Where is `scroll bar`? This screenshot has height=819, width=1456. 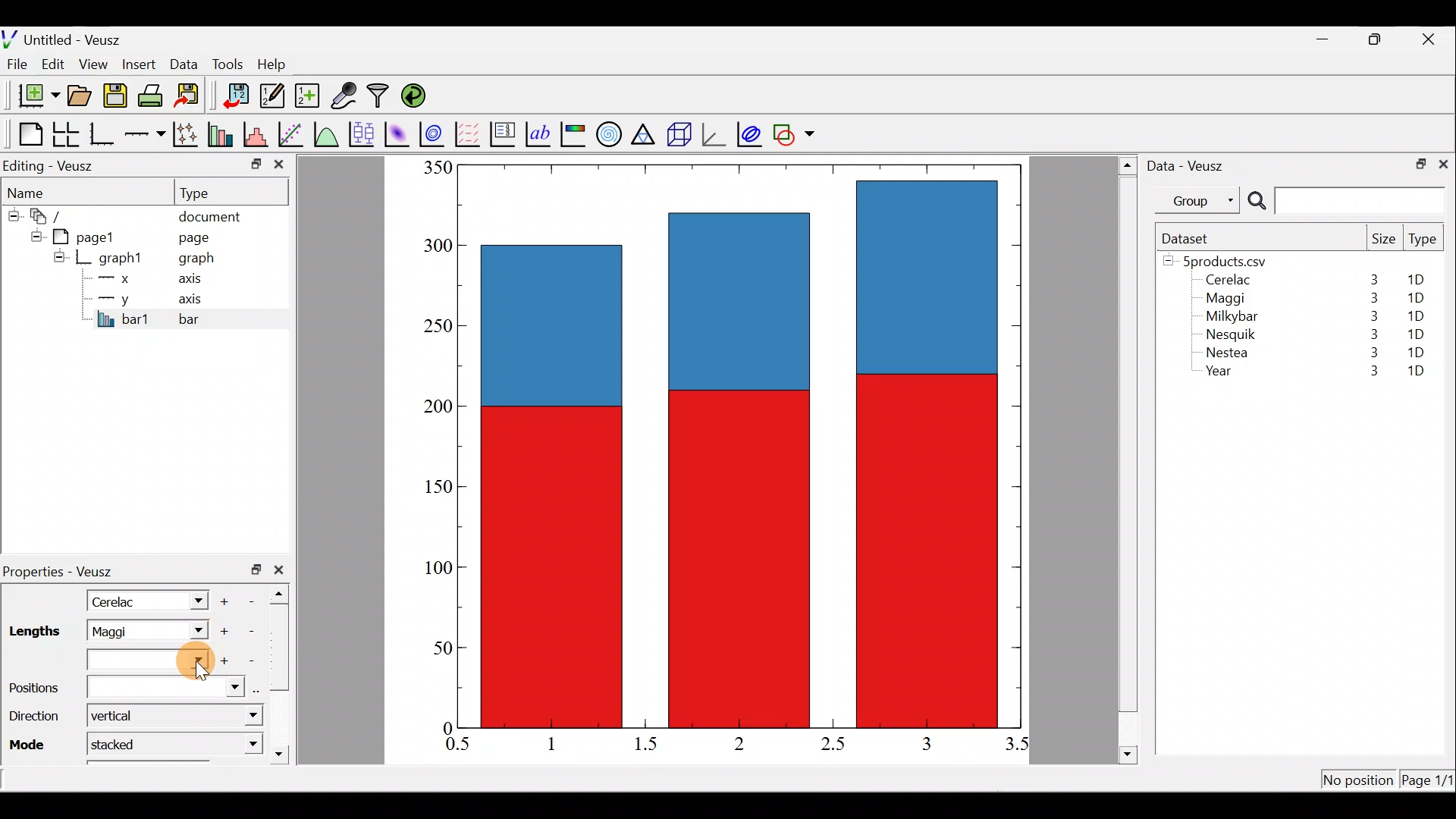
scroll bar is located at coordinates (1128, 457).